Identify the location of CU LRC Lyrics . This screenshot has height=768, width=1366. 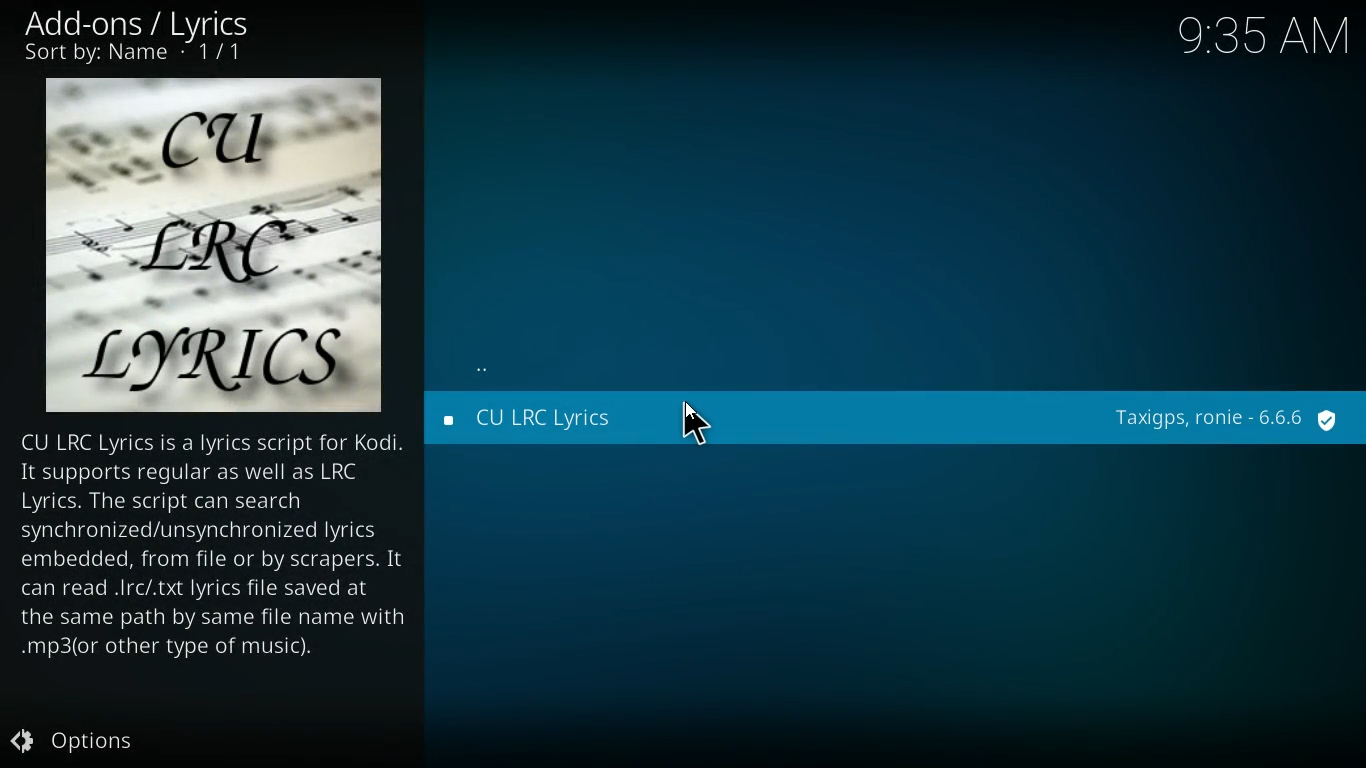
(598, 422).